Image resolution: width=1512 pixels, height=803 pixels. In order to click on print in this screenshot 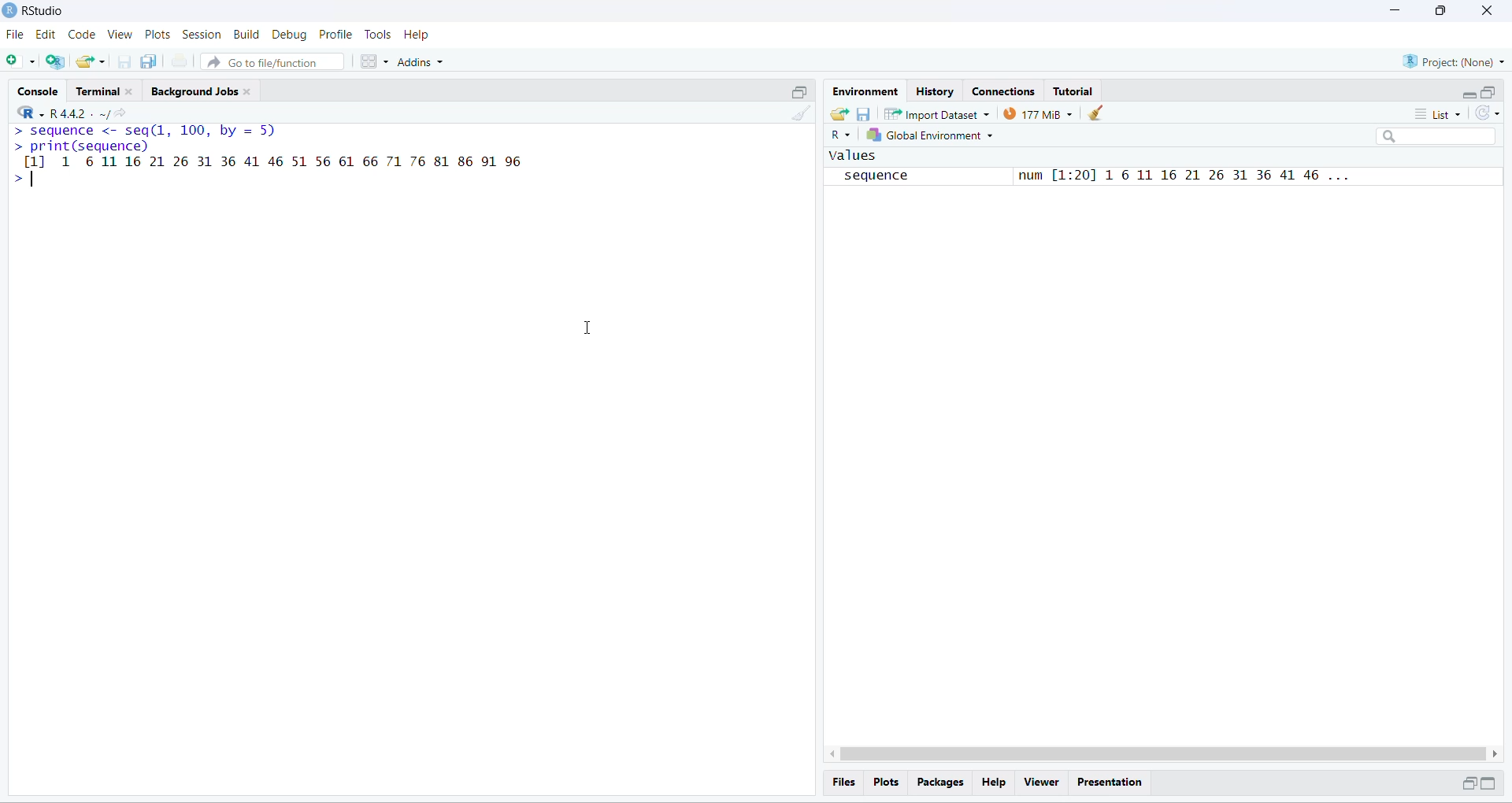, I will do `click(180, 60)`.